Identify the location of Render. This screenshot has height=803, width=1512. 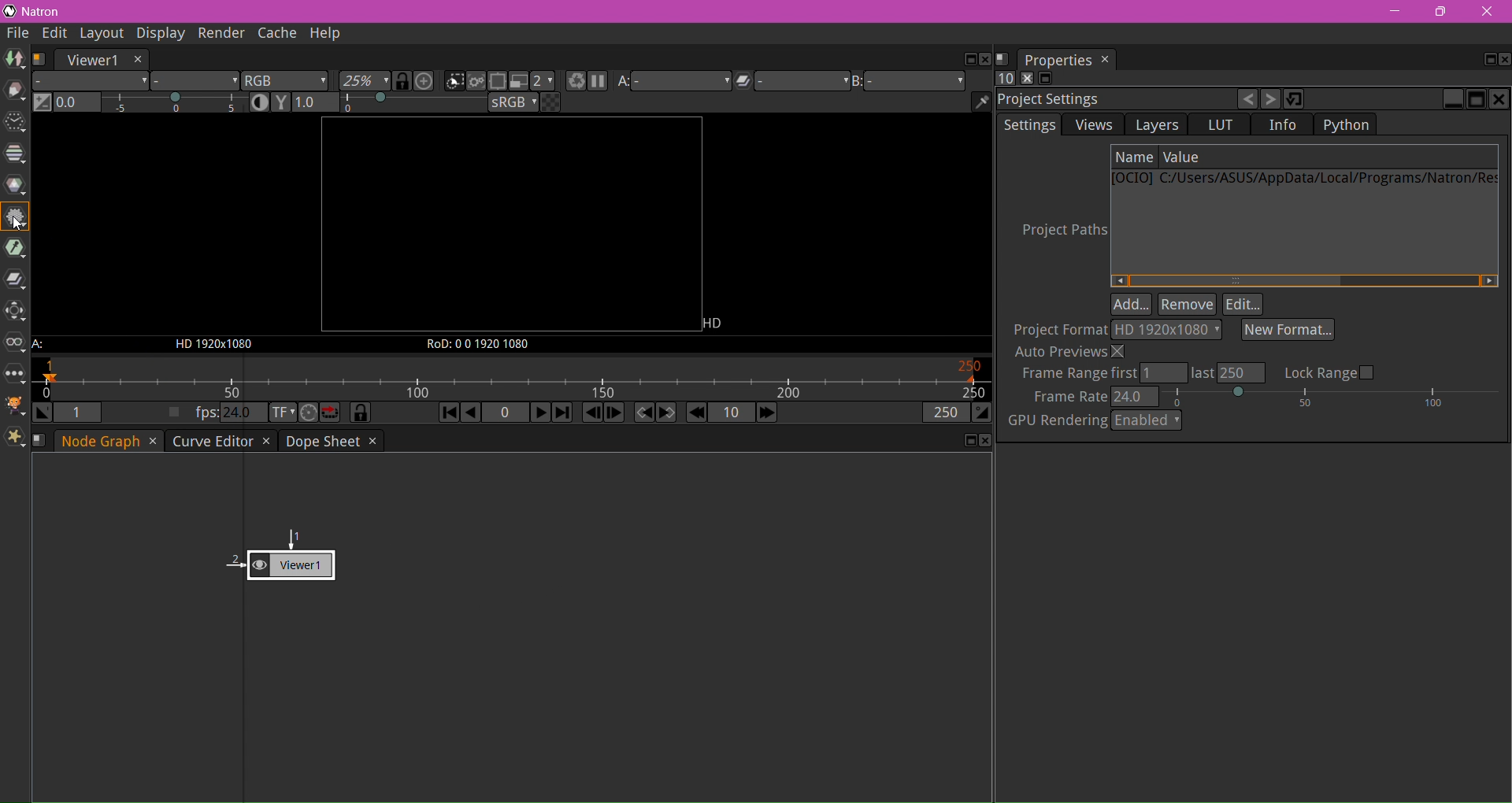
(219, 33).